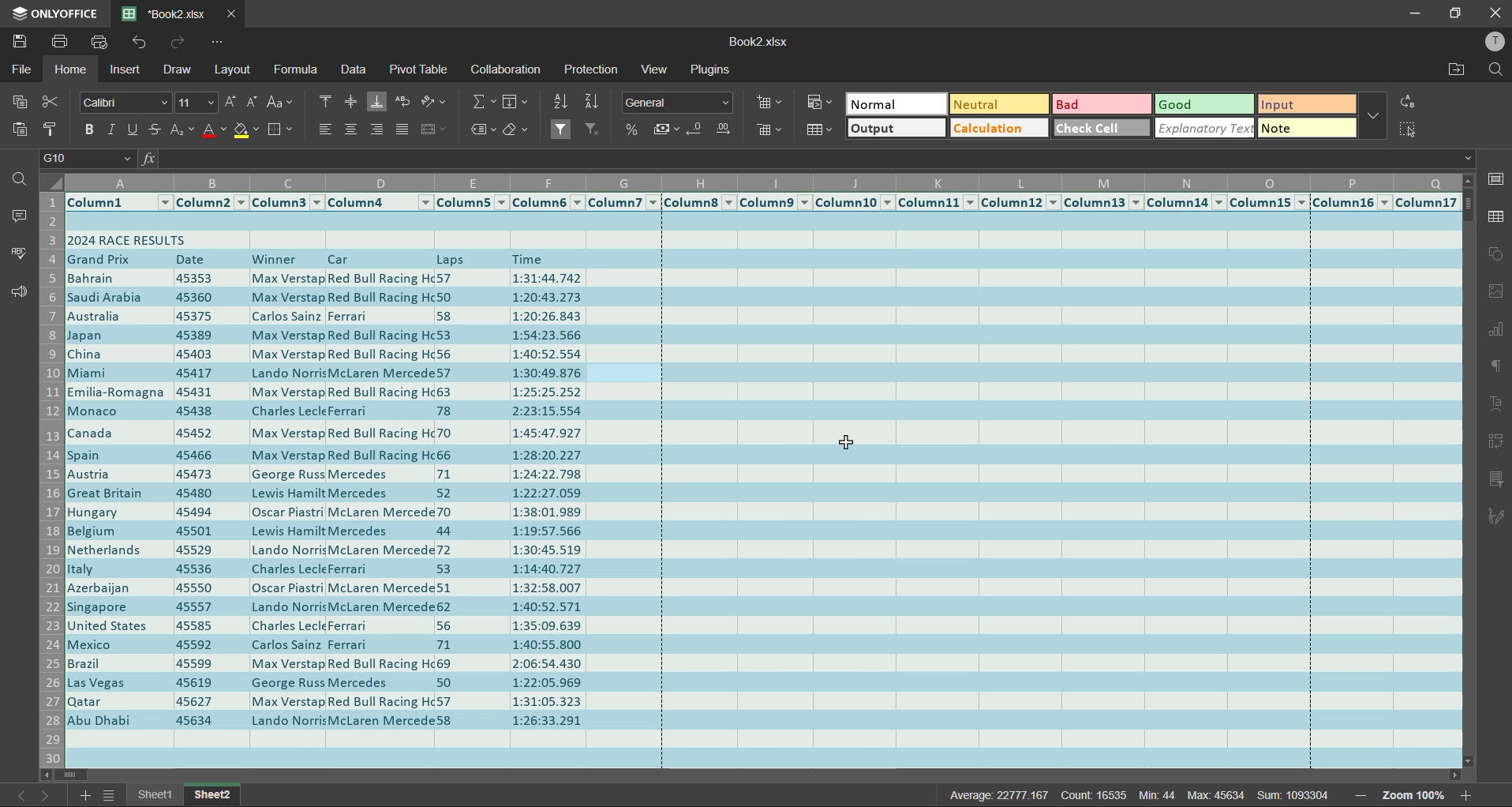  I want to click on cell settings, so click(1497, 179).